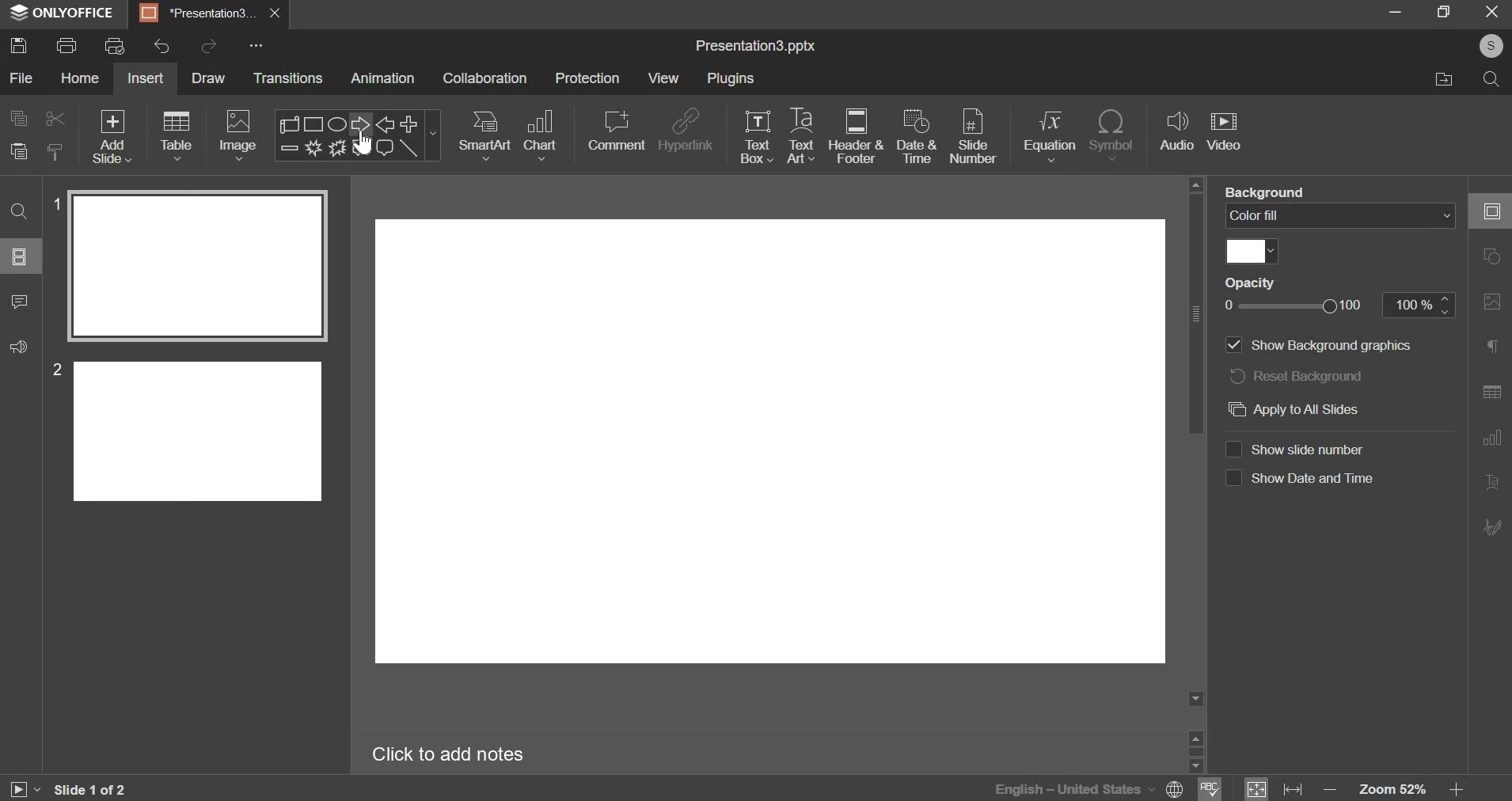 This screenshot has height=801, width=1512. What do you see at coordinates (731, 78) in the screenshot?
I see `plugins` at bounding box center [731, 78].